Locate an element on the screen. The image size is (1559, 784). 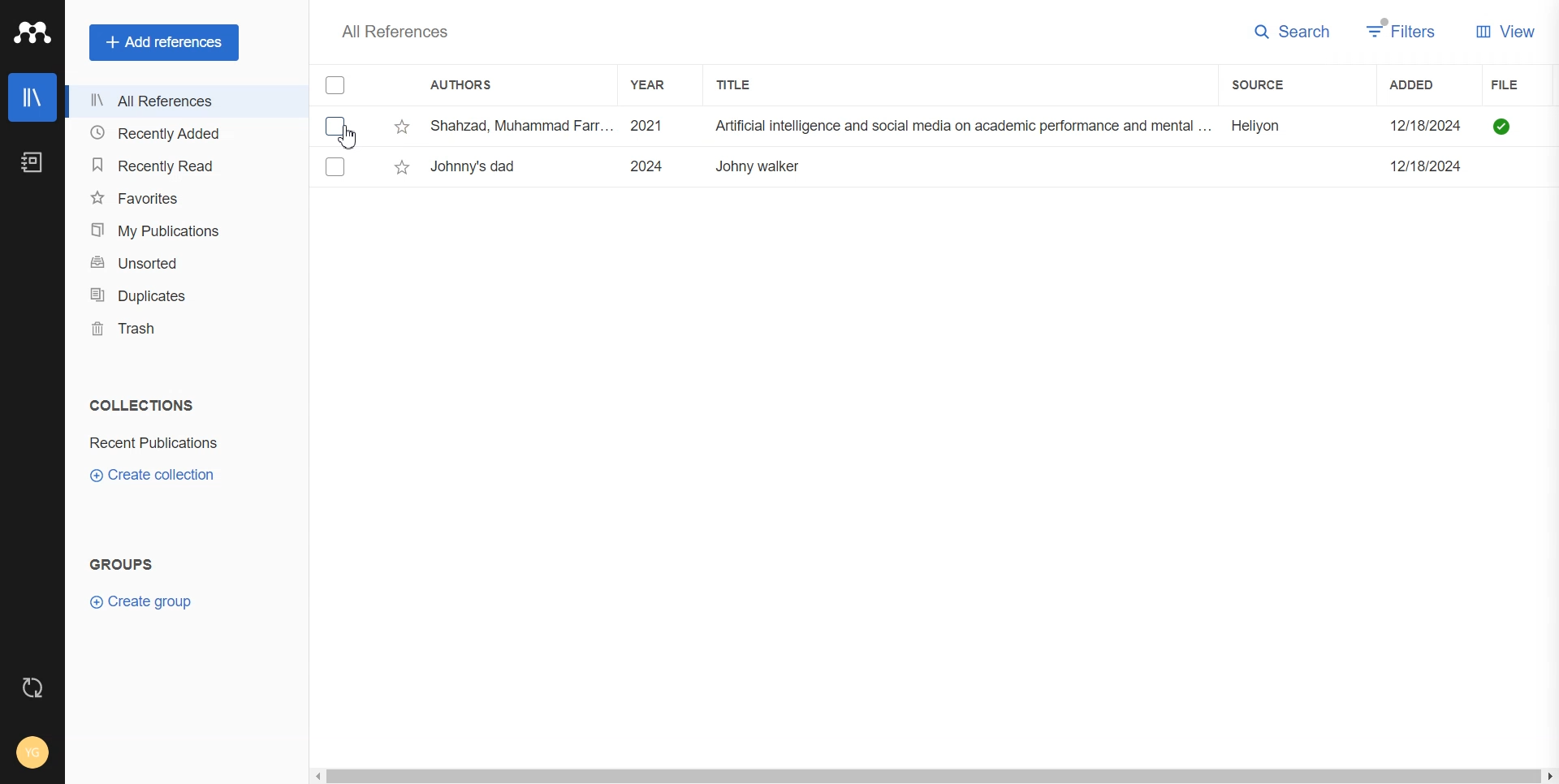
Search is located at coordinates (1293, 32).